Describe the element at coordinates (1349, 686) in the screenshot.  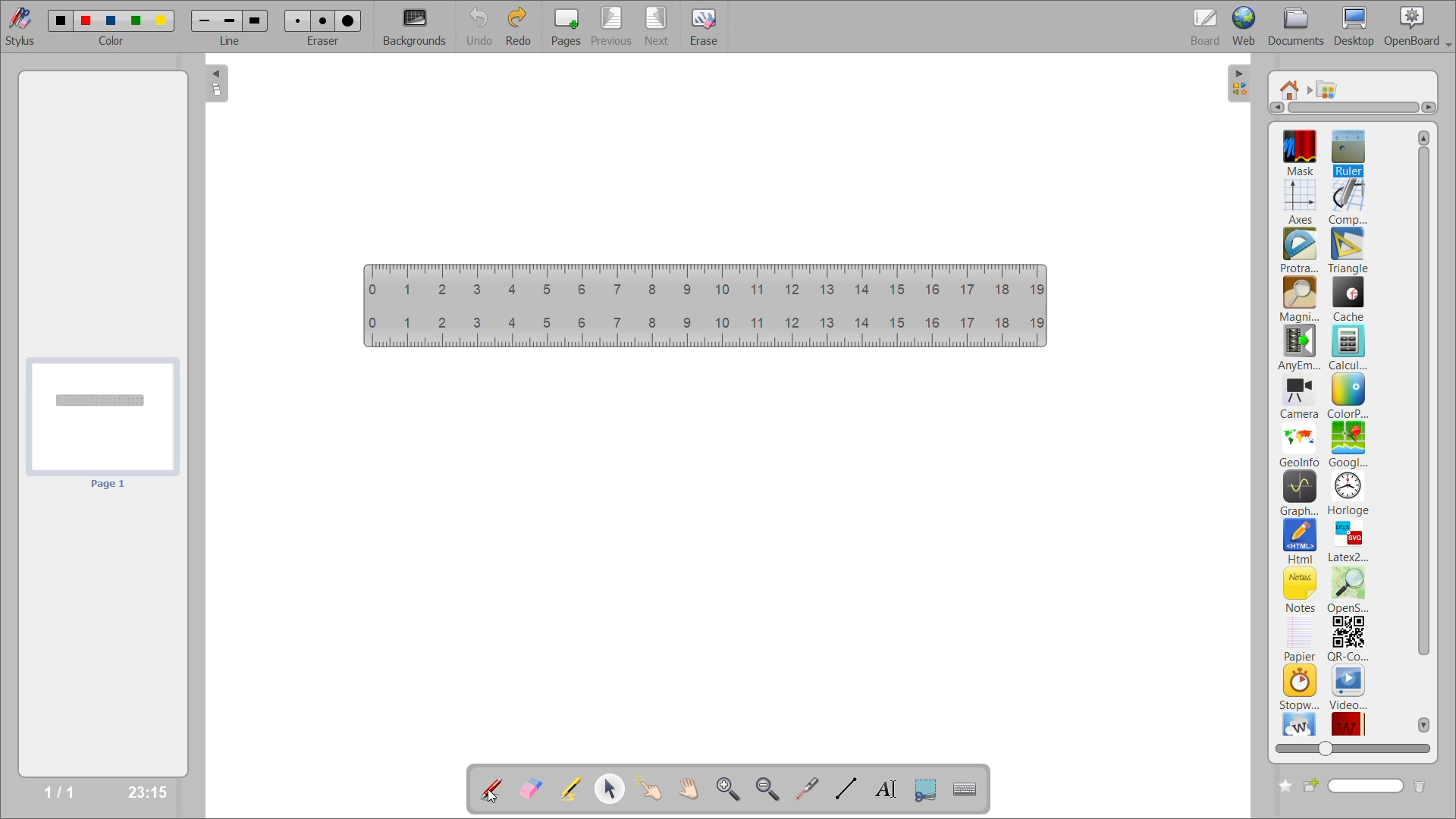
I see `video` at that location.